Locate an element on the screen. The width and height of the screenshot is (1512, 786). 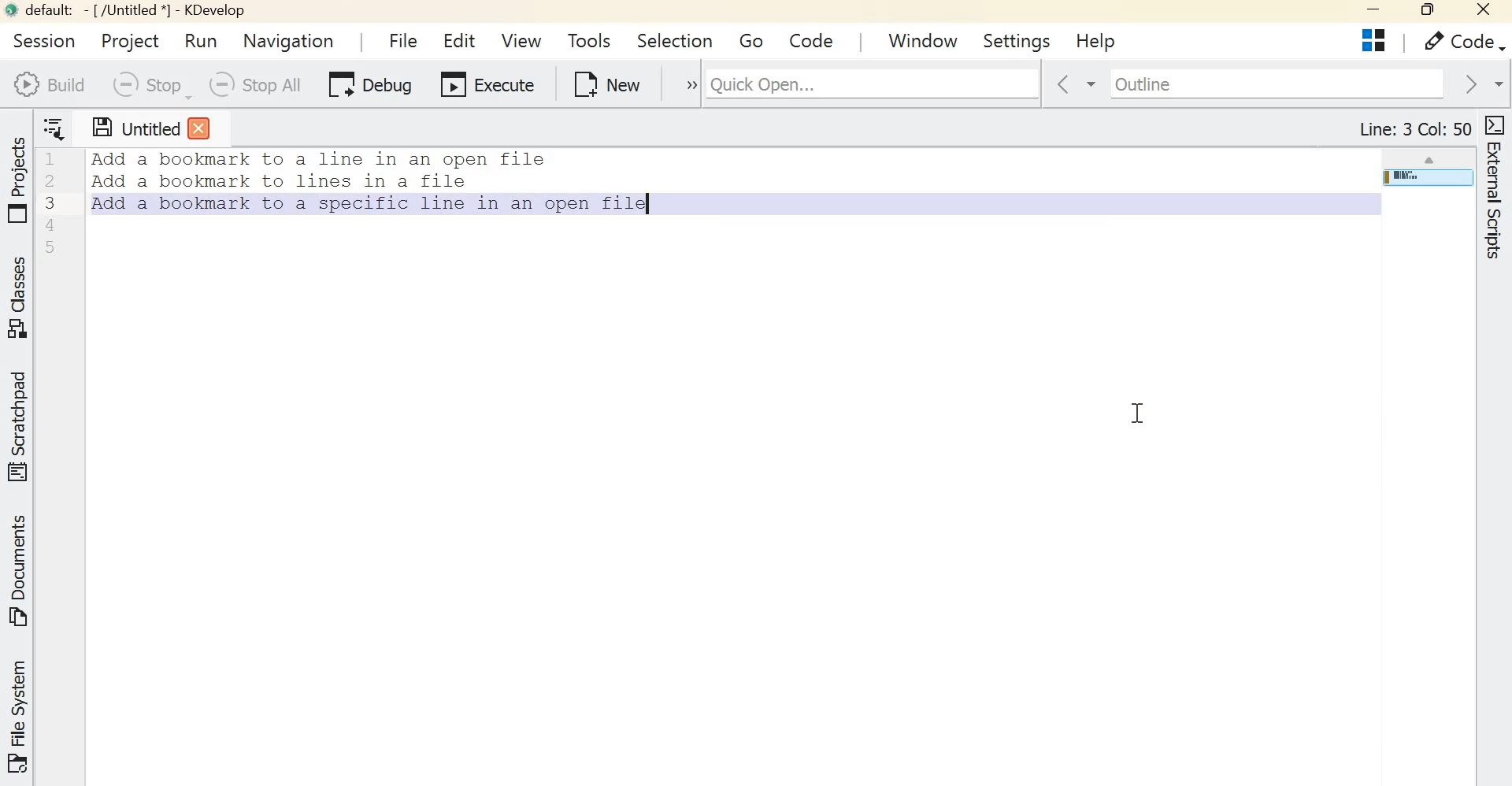
Quick Open is located at coordinates (872, 81).